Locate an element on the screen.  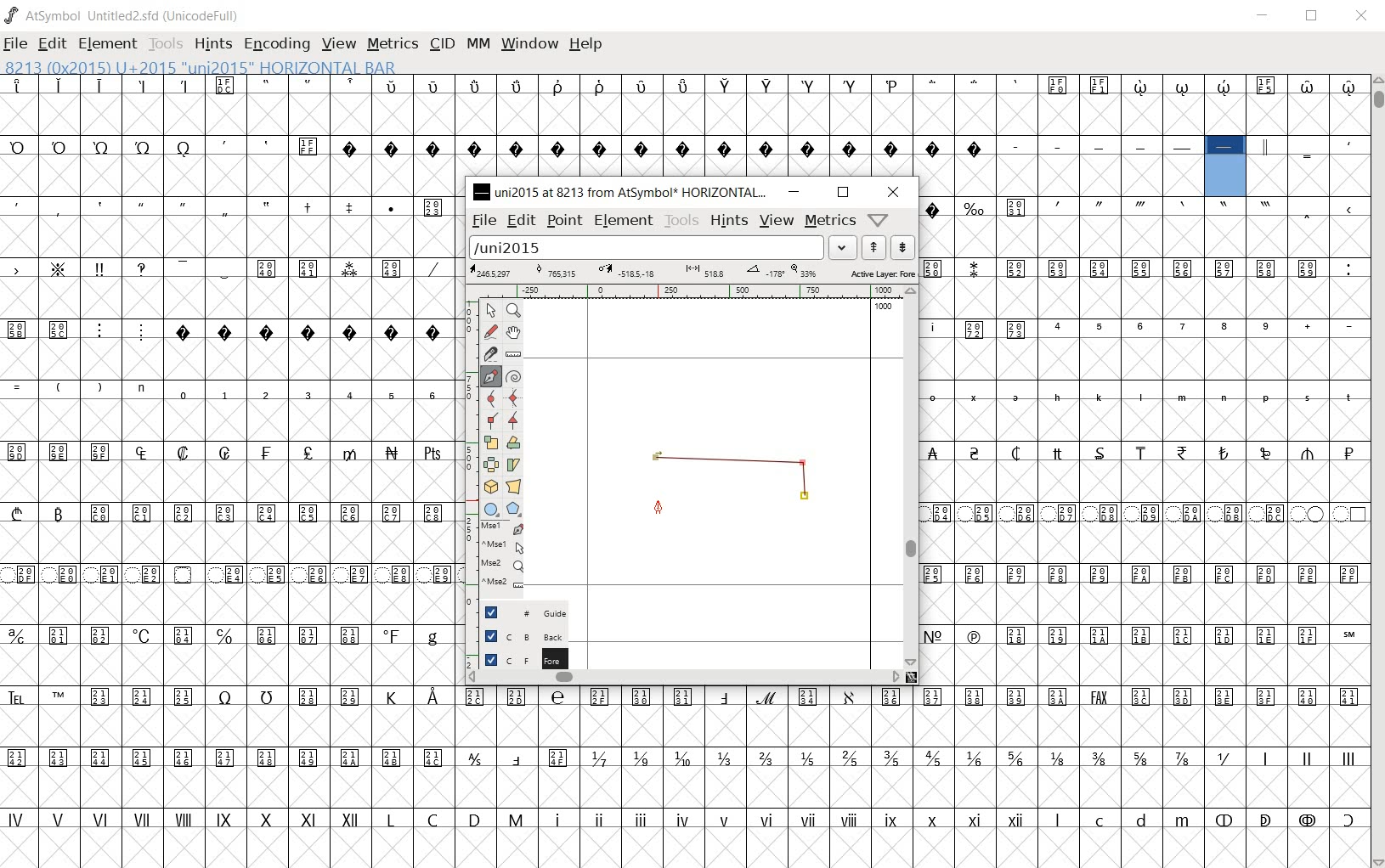
change whether spiro is active or not is located at coordinates (515, 377).